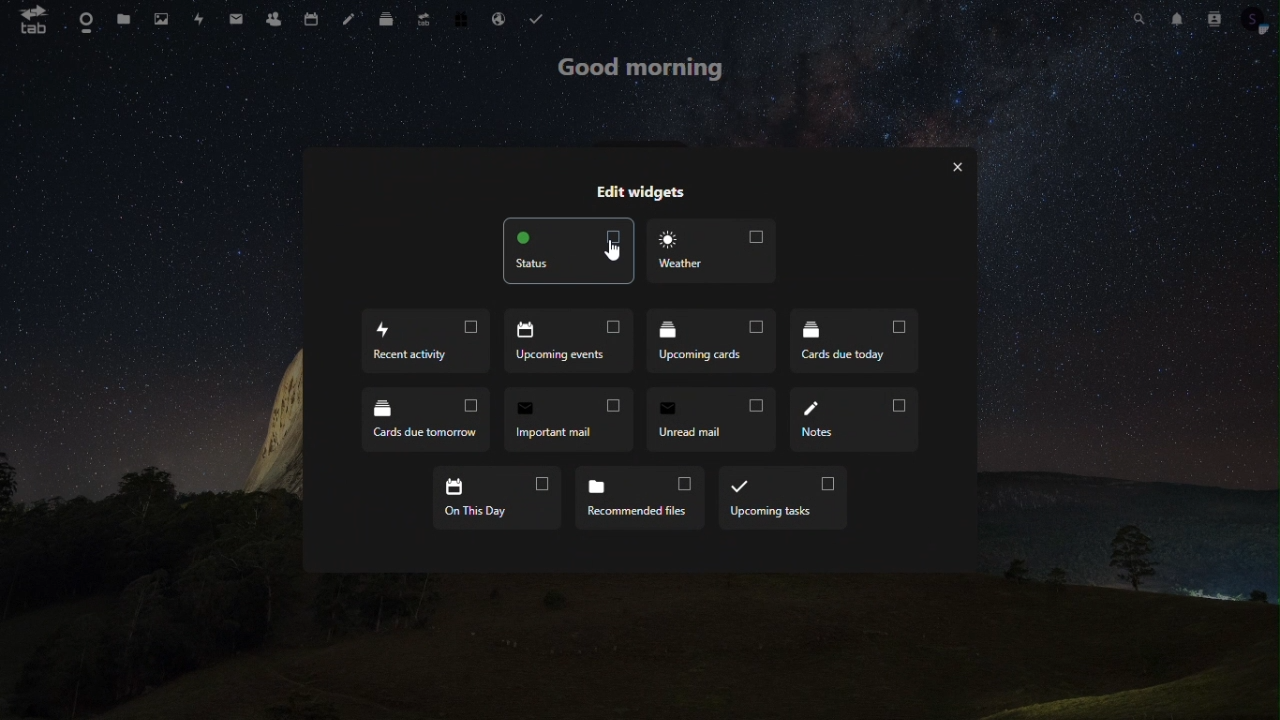 This screenshot has height=720, width=1280. Describe the element at coordinates (496, 498) in the screenshot. I see `on this day` at that location.